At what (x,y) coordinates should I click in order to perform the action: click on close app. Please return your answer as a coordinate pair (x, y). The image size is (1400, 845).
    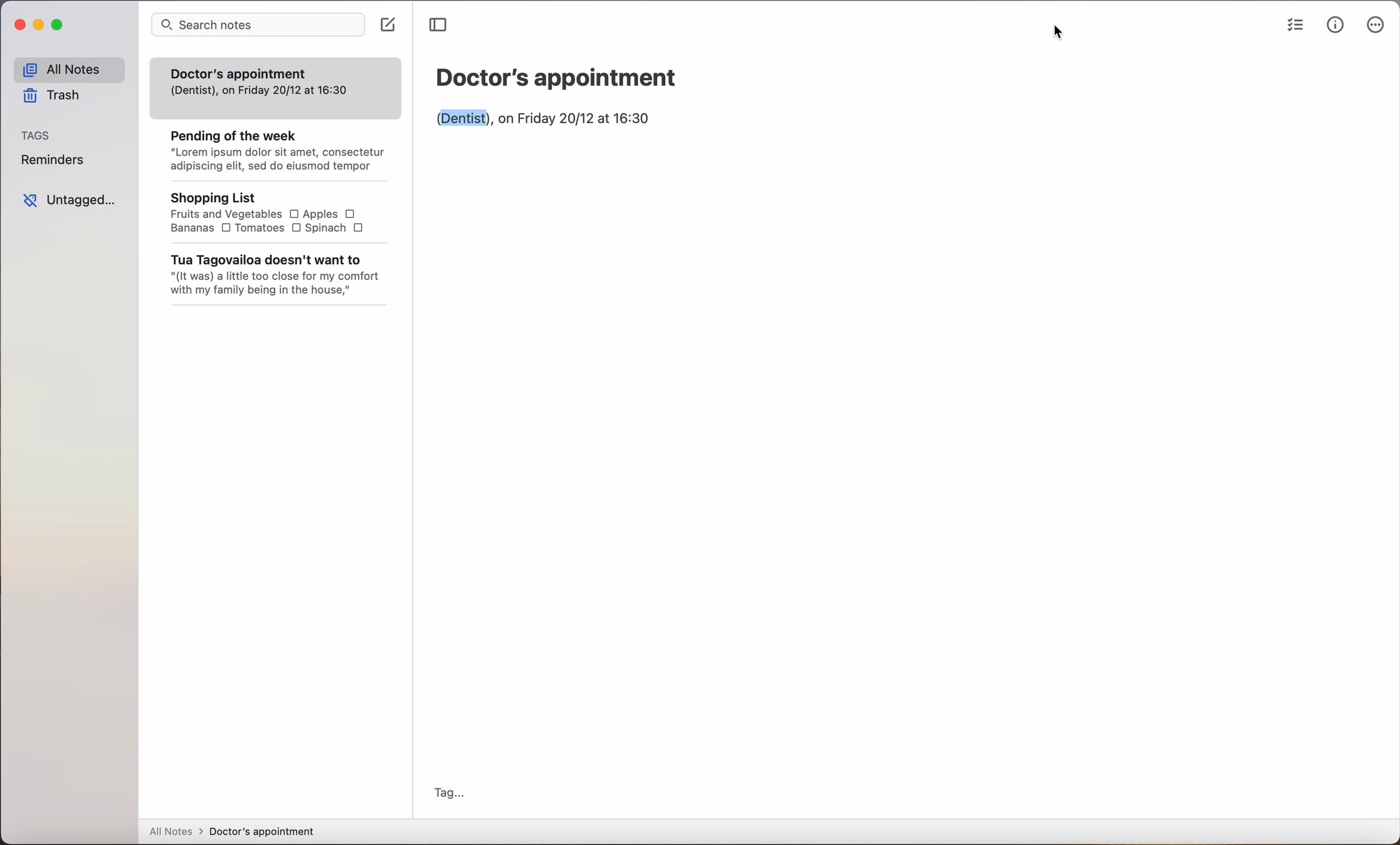
    Looking at the image, I should click on (19, 25).